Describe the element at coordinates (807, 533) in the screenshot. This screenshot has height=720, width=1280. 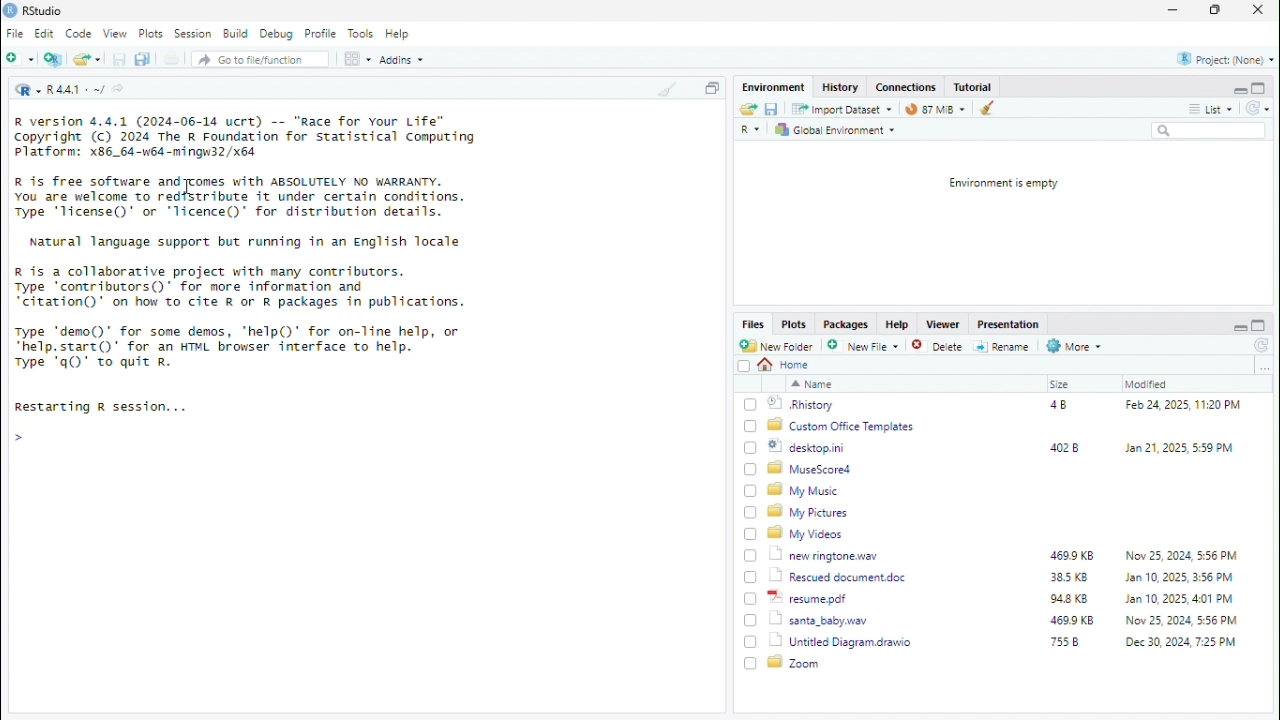
I see `My Videos` at that location.